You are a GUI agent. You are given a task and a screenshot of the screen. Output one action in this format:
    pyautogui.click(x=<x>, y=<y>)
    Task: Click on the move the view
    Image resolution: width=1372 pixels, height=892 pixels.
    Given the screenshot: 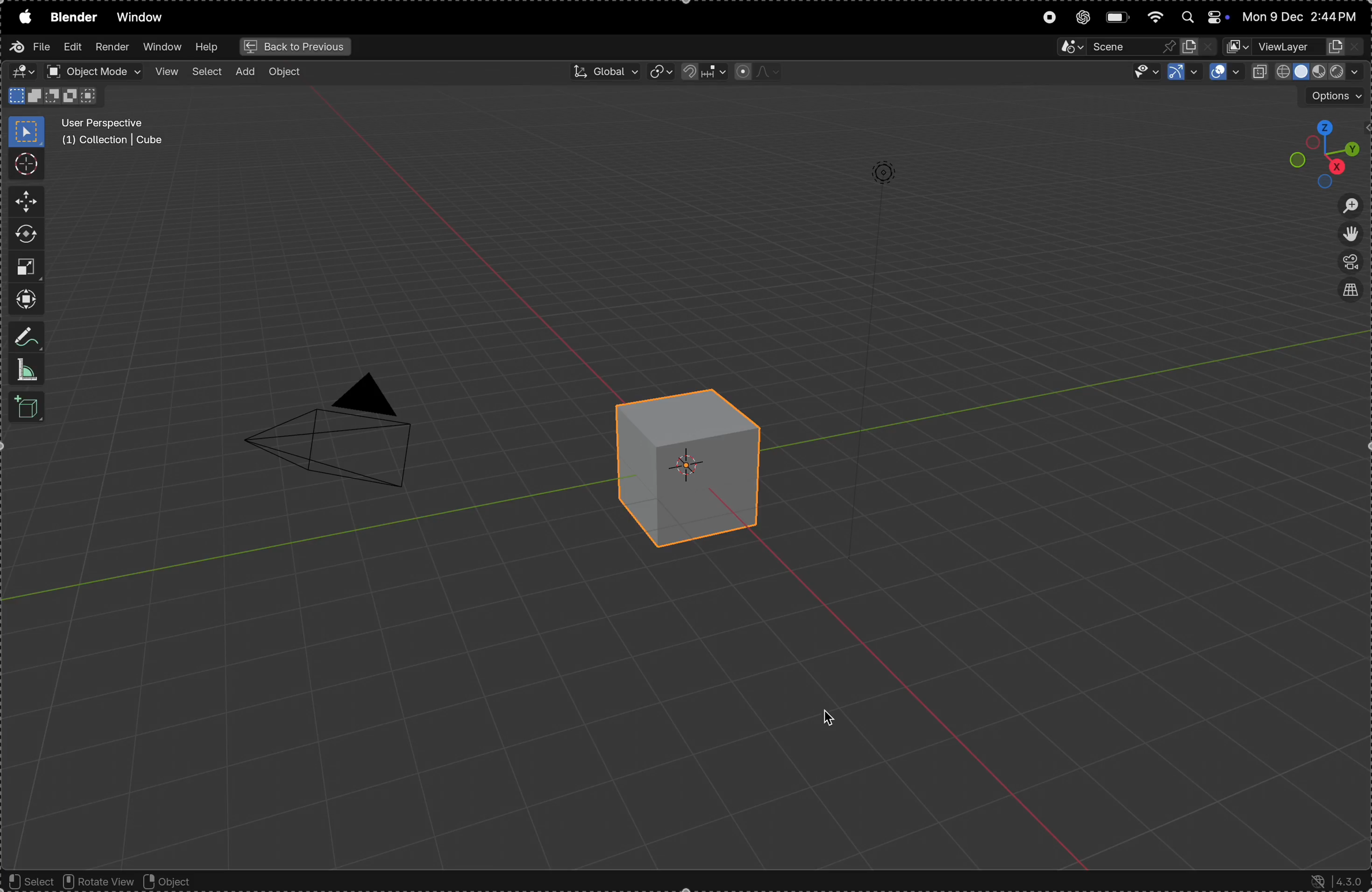 What is the action you would take?
    pyautogui.click(x=1352, y=235)
    